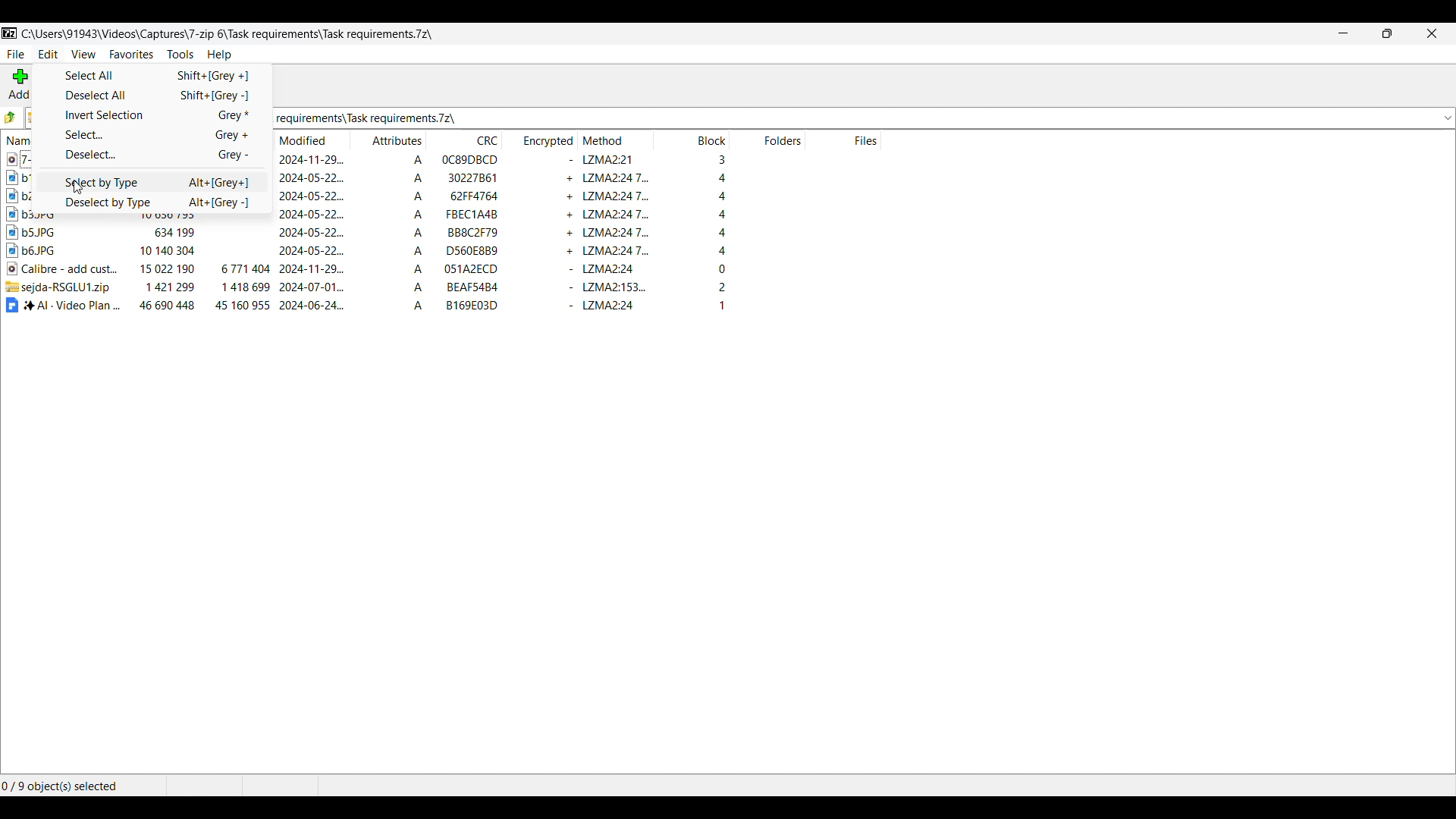 Image resolution: width=1456 pixels, height=819 pixels. I want to click on Attributes column, so click(390, 140).